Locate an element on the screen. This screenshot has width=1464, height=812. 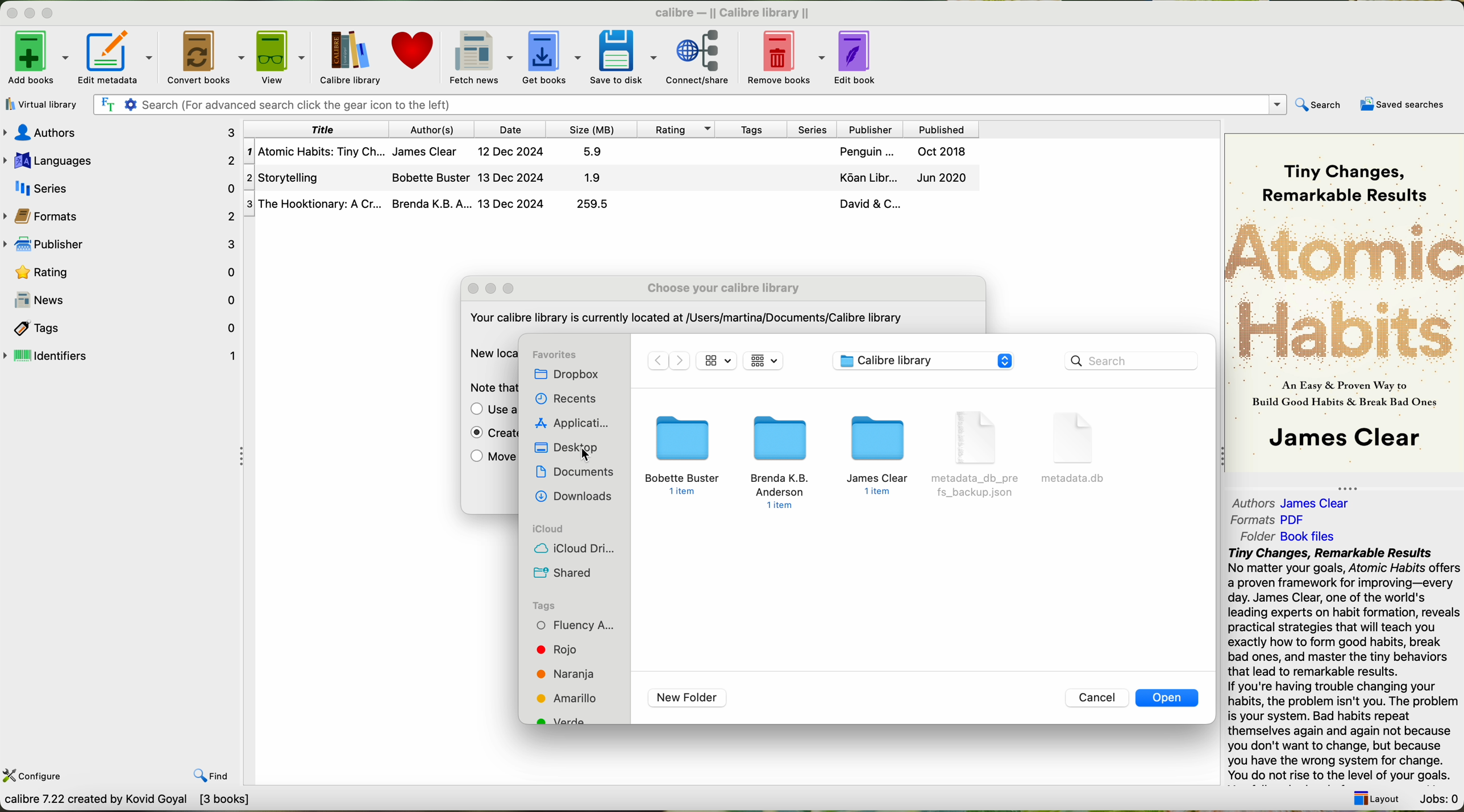
yellow is located at coordinates (568, 697).